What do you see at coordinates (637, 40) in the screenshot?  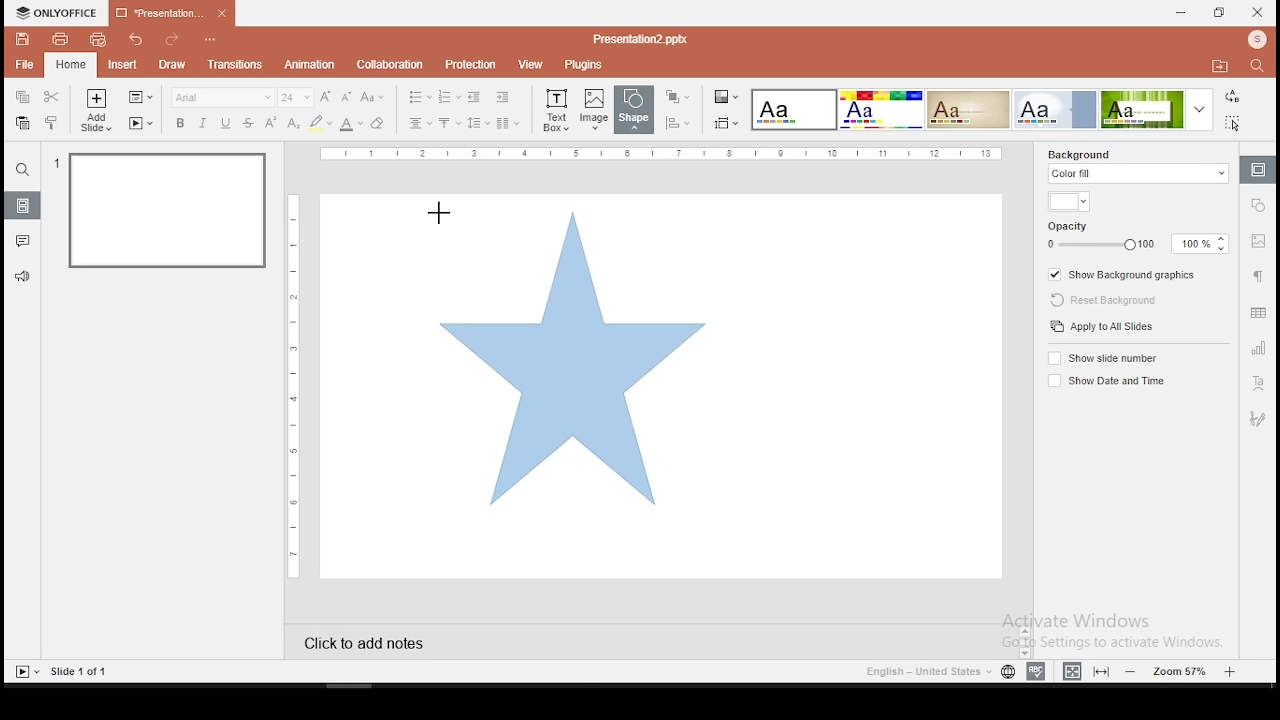 I see `presentation2.pptx` at bounding box center [637, 40].